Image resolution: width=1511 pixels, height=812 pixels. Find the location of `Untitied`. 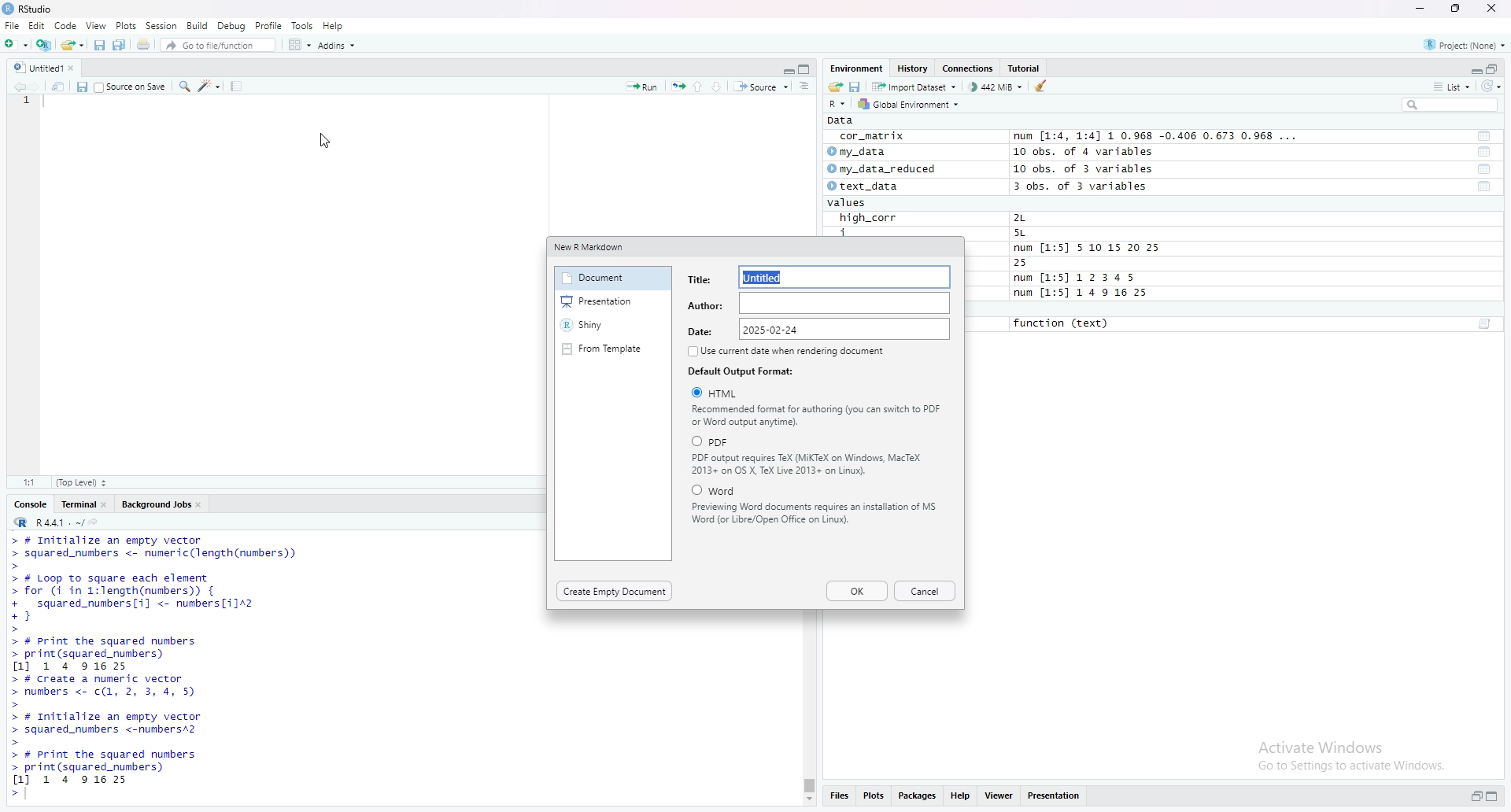

Untitied is located at coordinates (844, 276).